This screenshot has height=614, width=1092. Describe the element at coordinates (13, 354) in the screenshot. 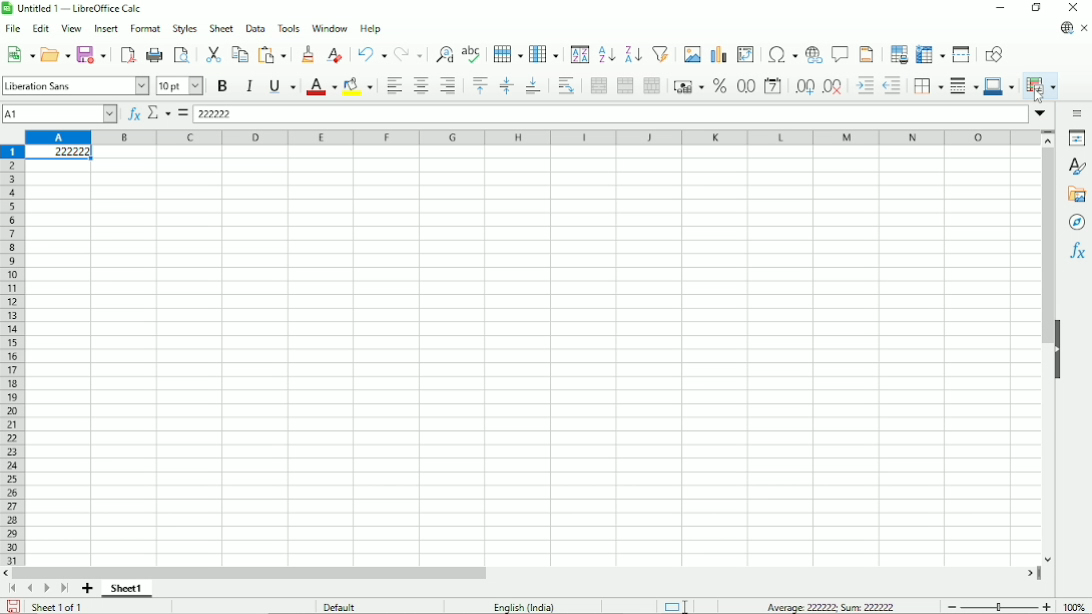

I see `Row headings` at that location.